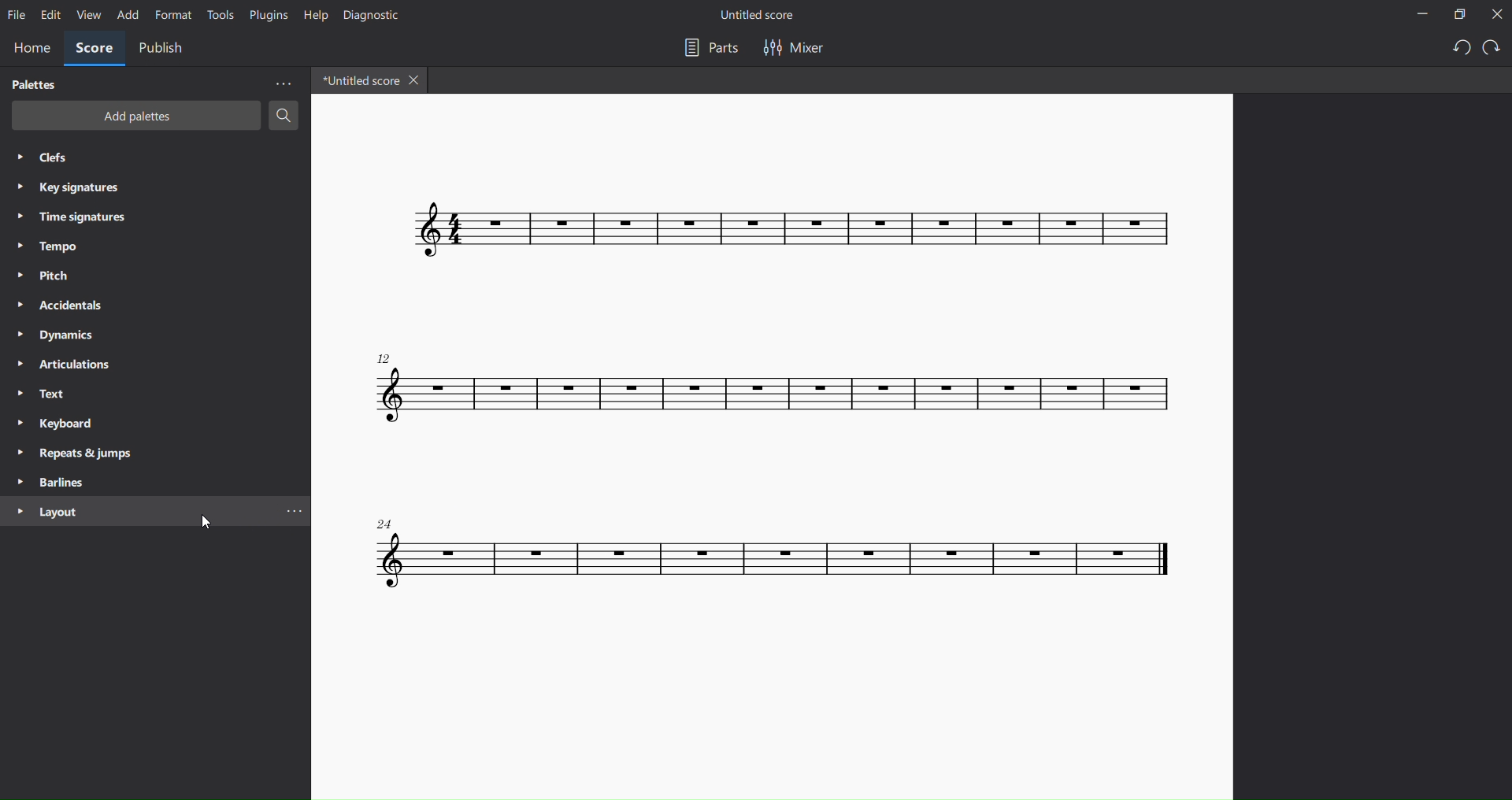 This screenshot has height=800, width=1512. I want to click on help, so click(313, 14).